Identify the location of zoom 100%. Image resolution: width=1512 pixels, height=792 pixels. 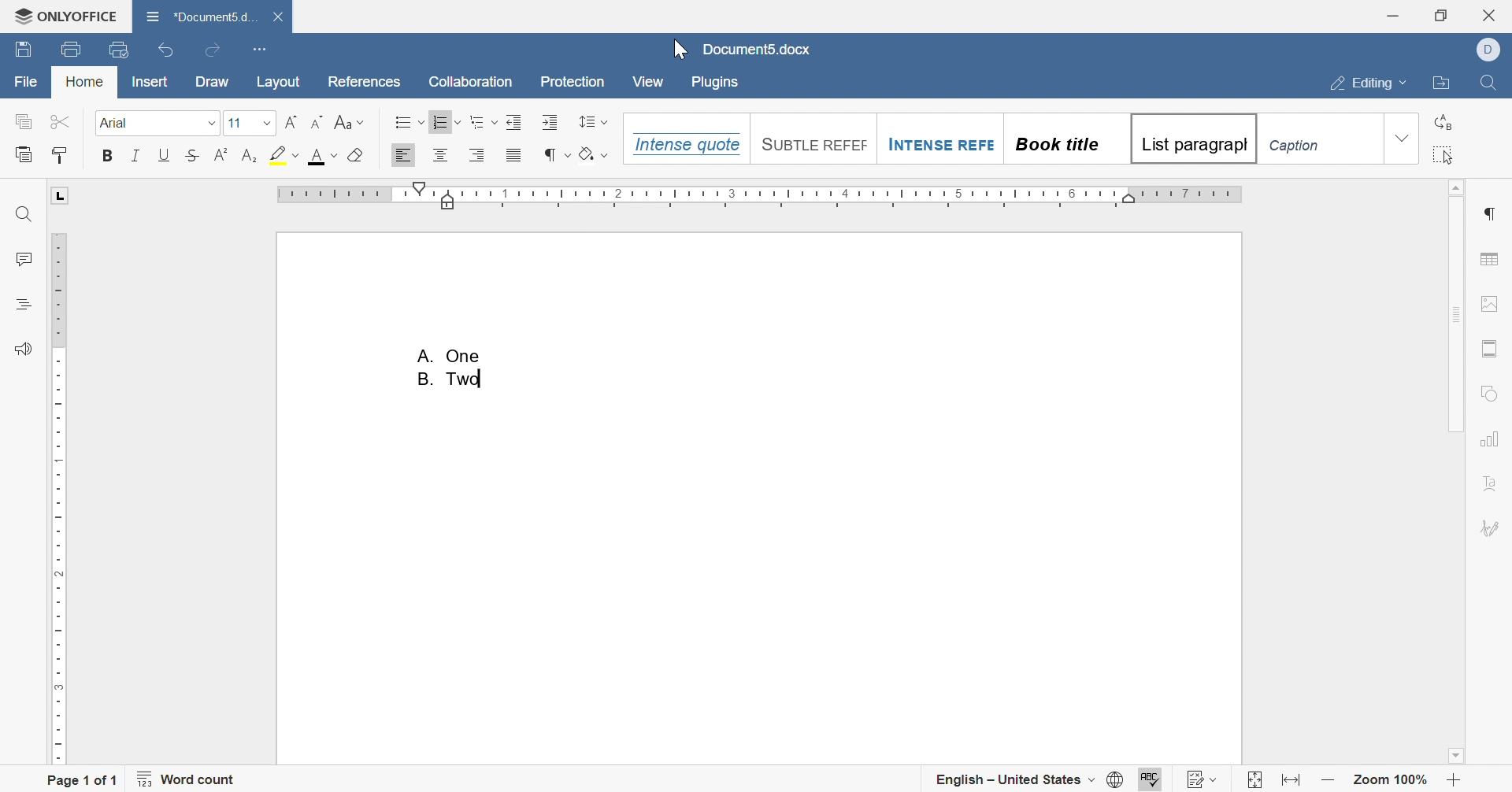
(1392, 779).